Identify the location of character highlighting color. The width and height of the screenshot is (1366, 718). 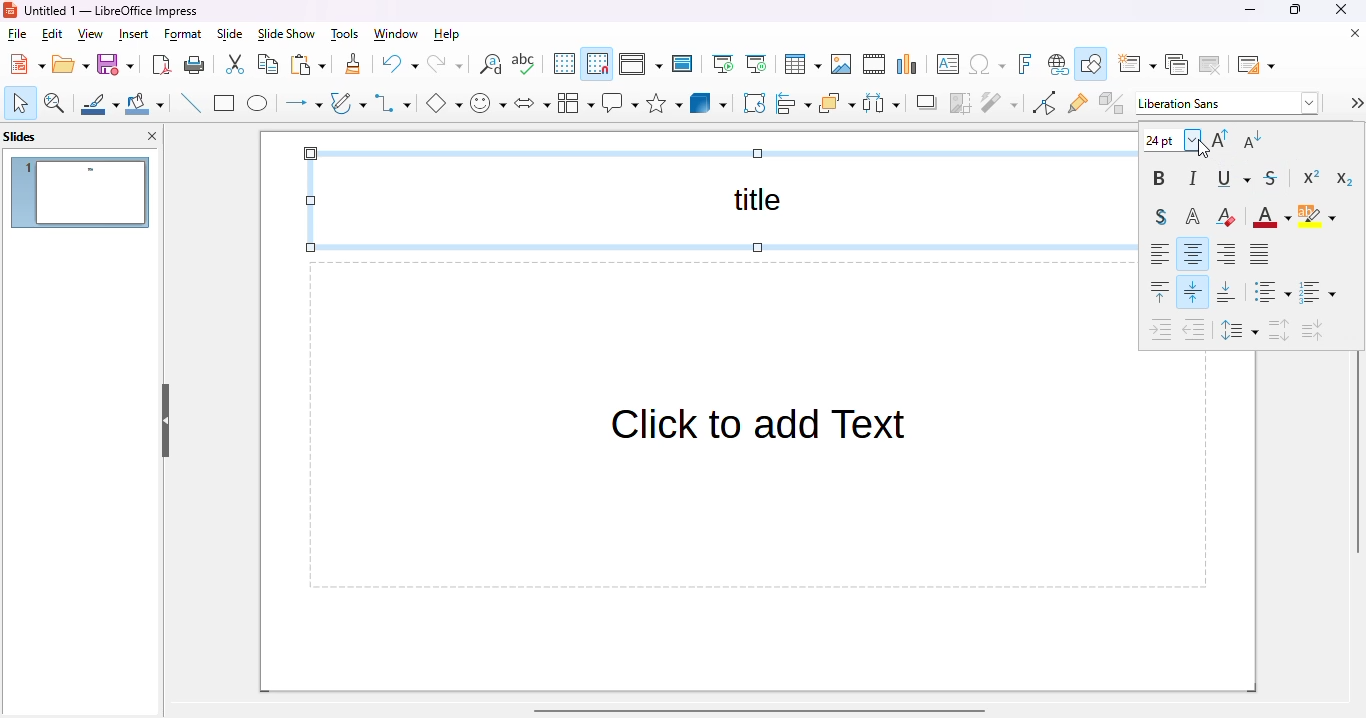
(1317, 217).